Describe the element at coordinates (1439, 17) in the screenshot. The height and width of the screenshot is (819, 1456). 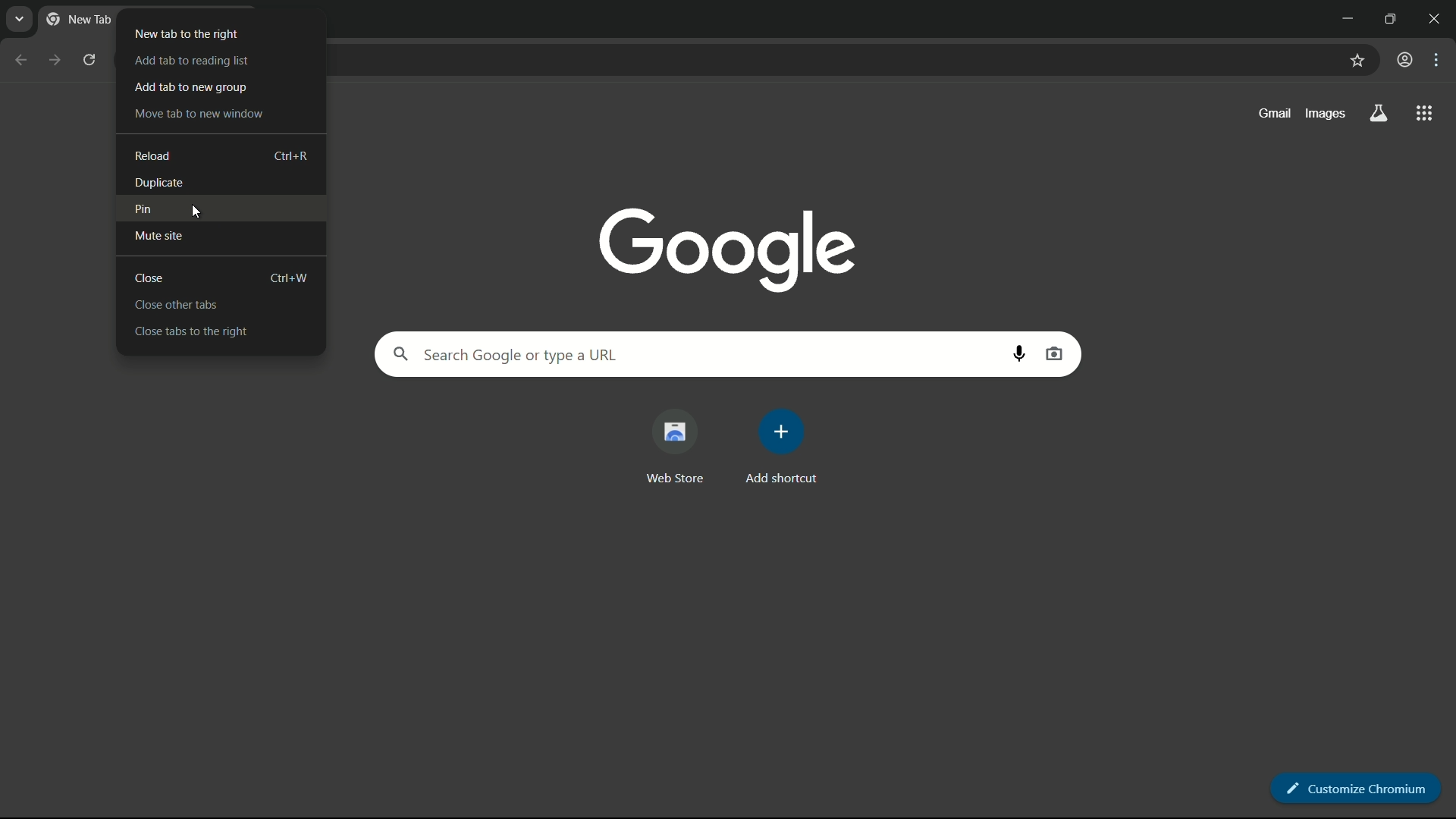
I see `close window` at that location.